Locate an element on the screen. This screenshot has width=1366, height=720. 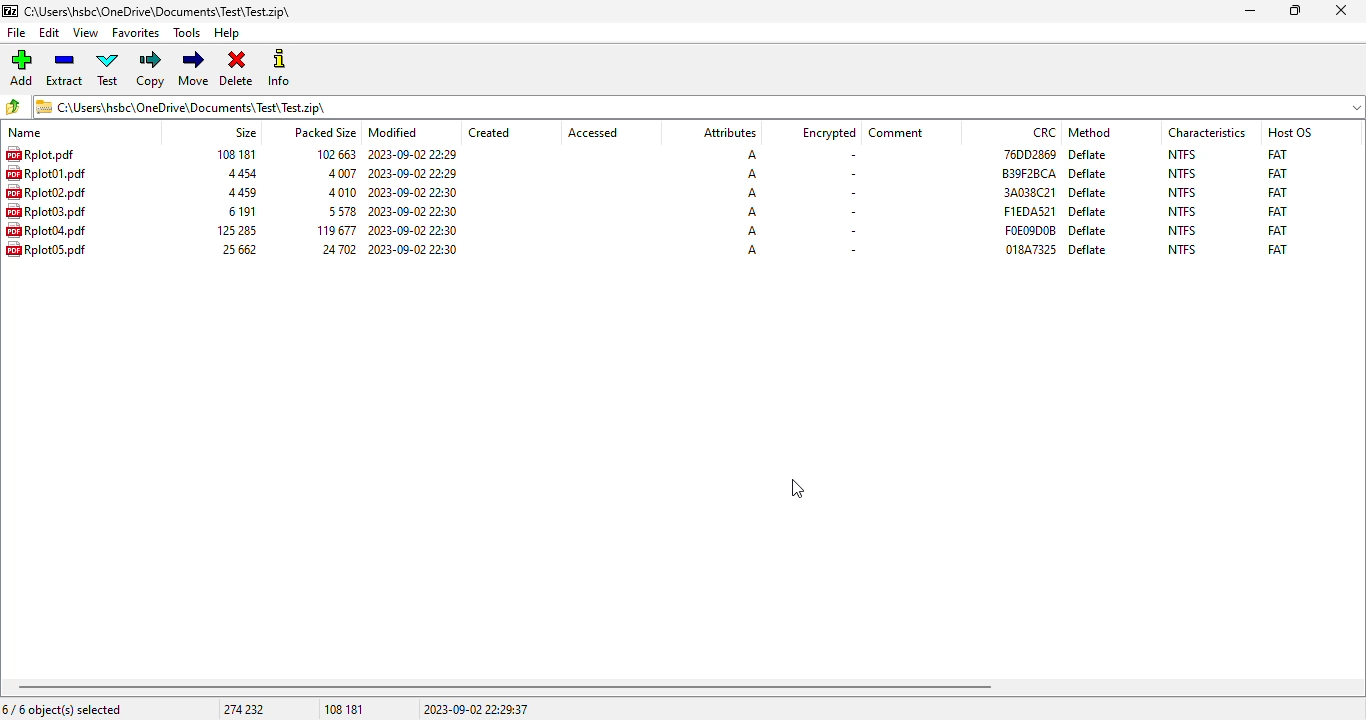
deflate is located at coordinates (1088, 249).